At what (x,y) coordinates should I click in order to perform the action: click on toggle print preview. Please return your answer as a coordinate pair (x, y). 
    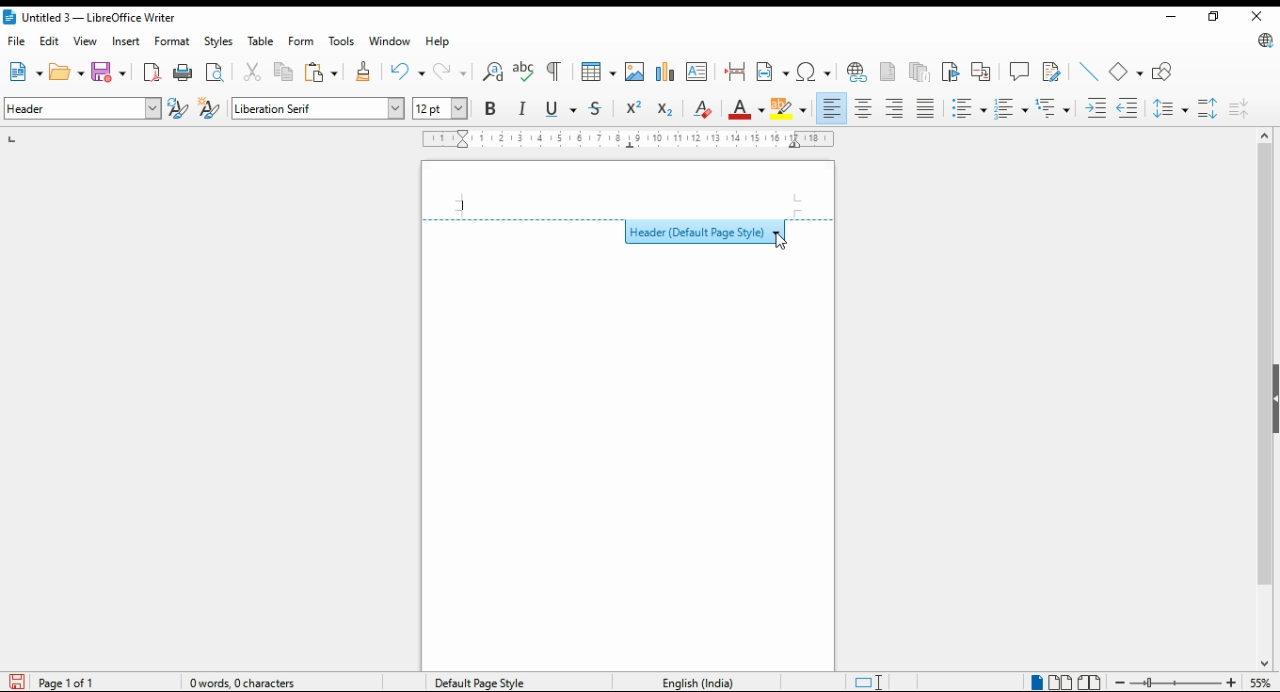
    Looking at the image, I should click on (216, 70).